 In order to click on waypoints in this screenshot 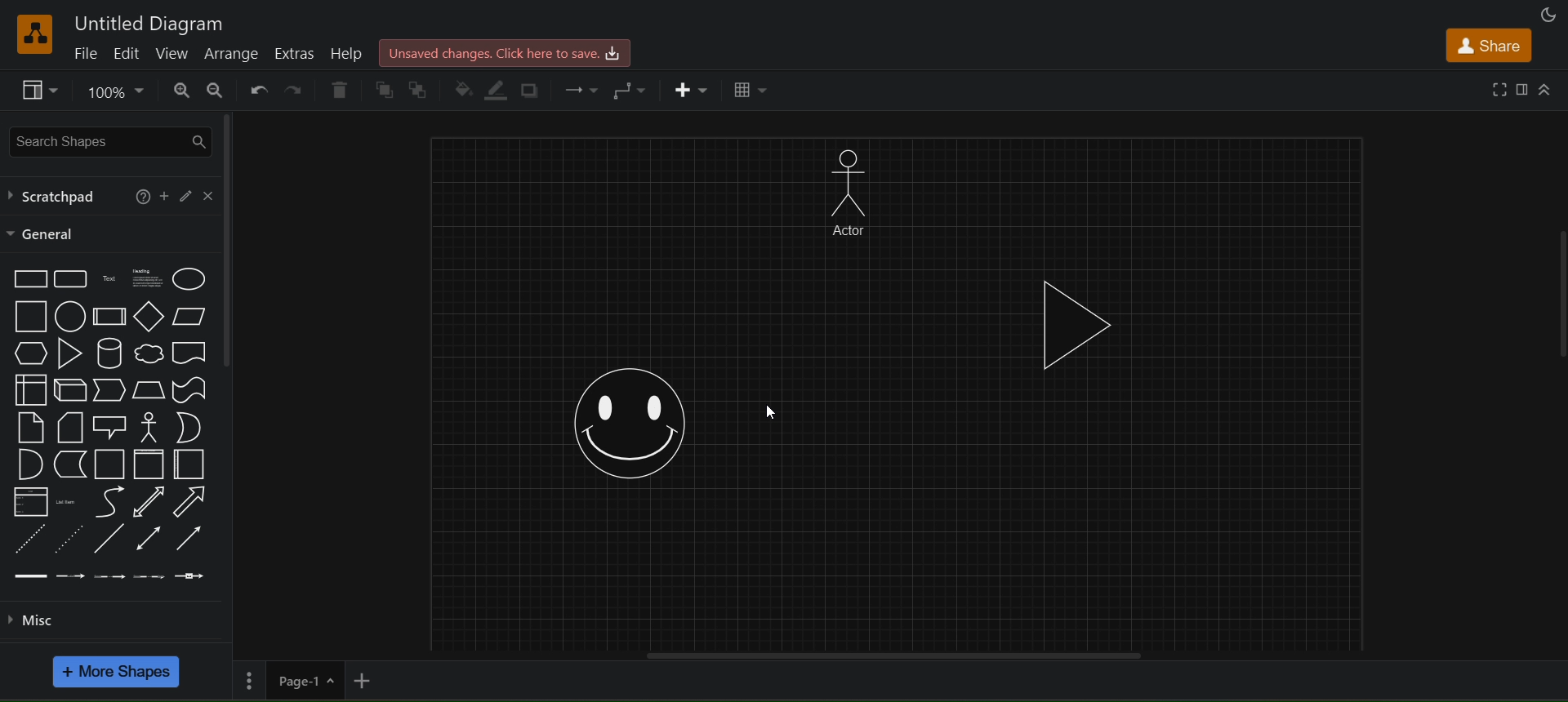, I will do `click(632, 89)`.